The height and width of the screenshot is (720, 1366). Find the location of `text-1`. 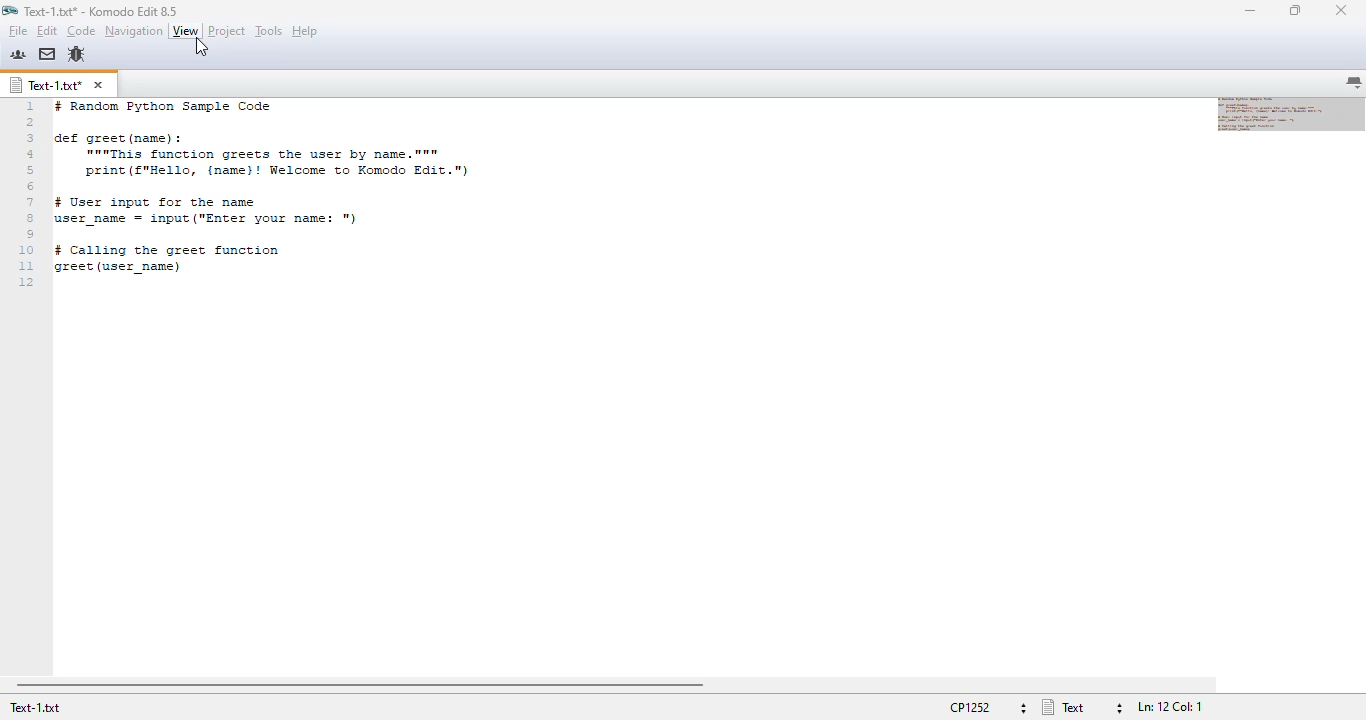

text-1 is located at coordinates (36, 708).